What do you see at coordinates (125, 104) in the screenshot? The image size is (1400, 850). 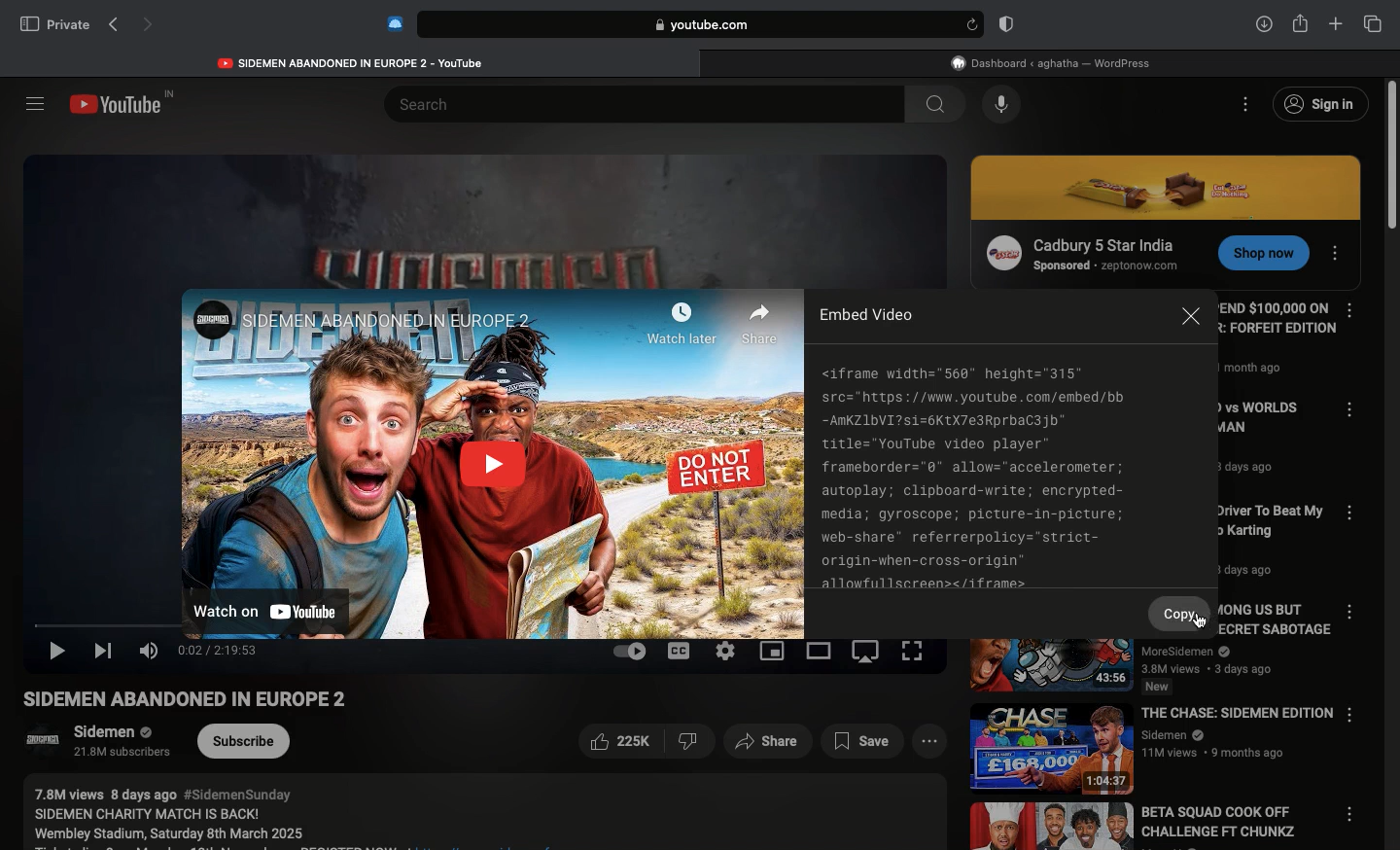 I see `Youtube` at bounding box center [125, 104].